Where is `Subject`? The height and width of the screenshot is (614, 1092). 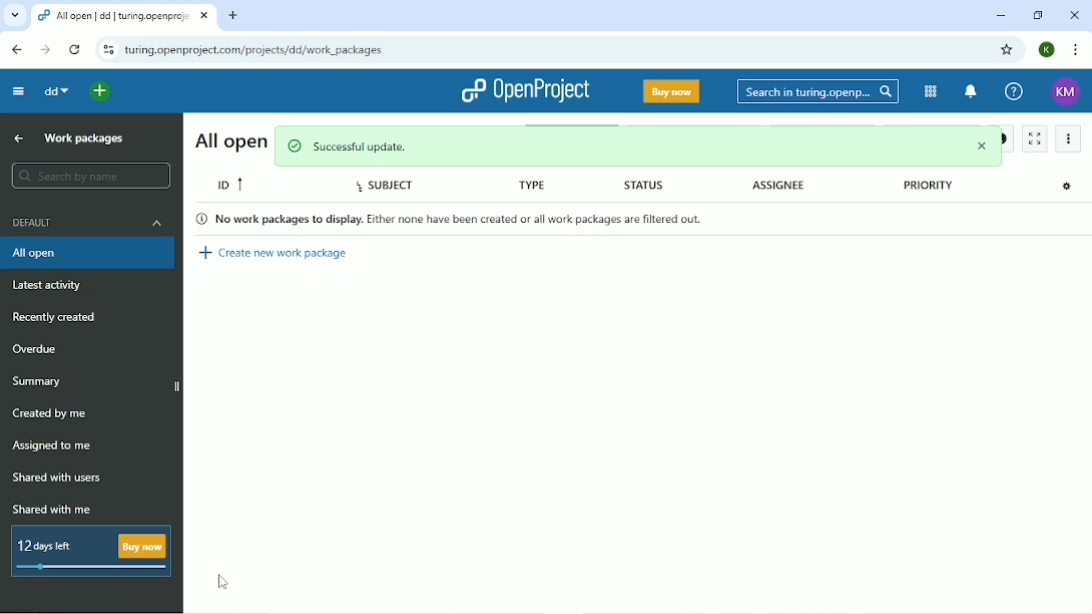 Subject is located at coordinates (394, 187).